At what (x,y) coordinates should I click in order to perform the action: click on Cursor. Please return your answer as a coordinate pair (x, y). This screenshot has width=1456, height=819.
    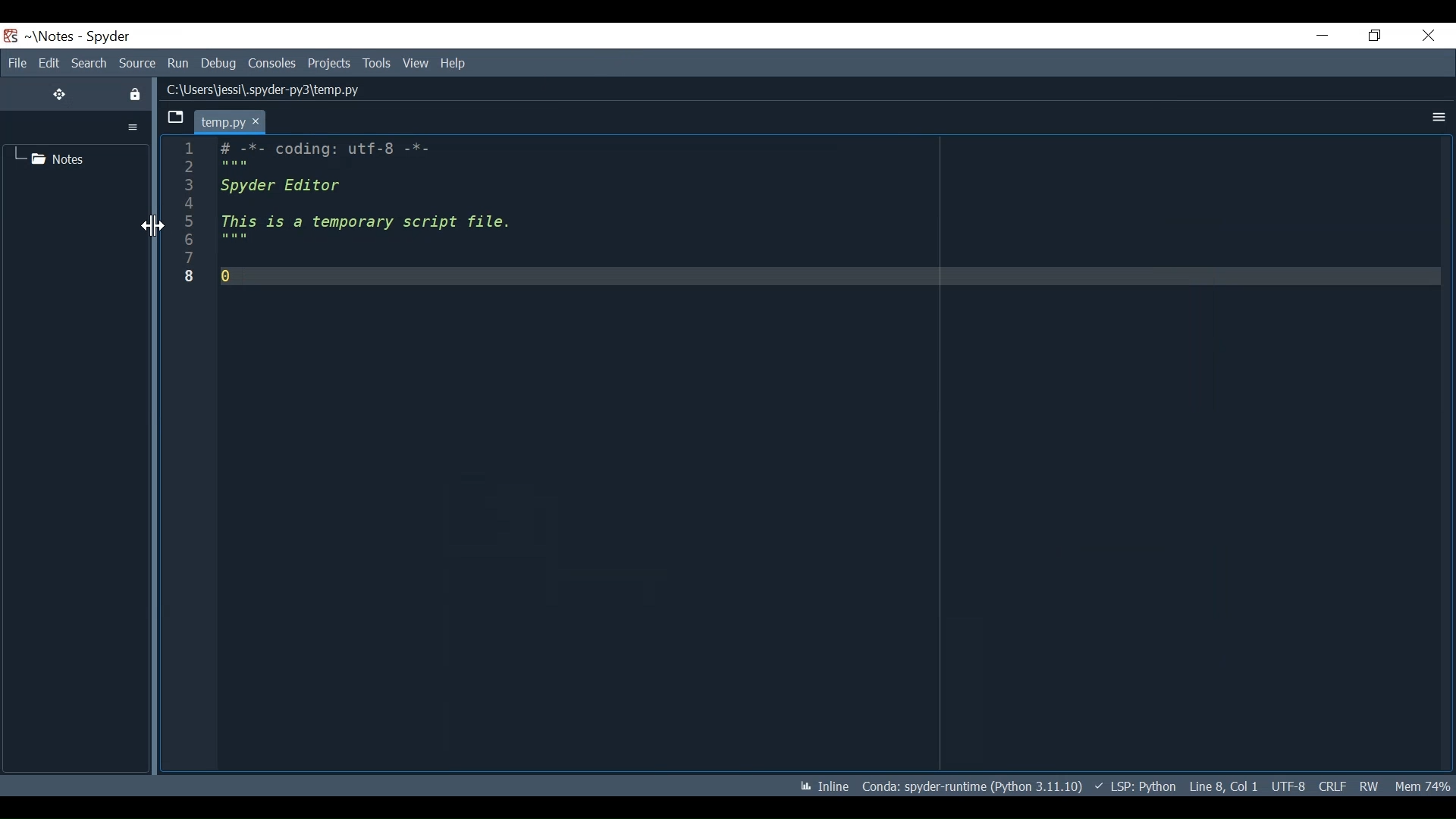
    Looking at the image, I should click on (152, 226).